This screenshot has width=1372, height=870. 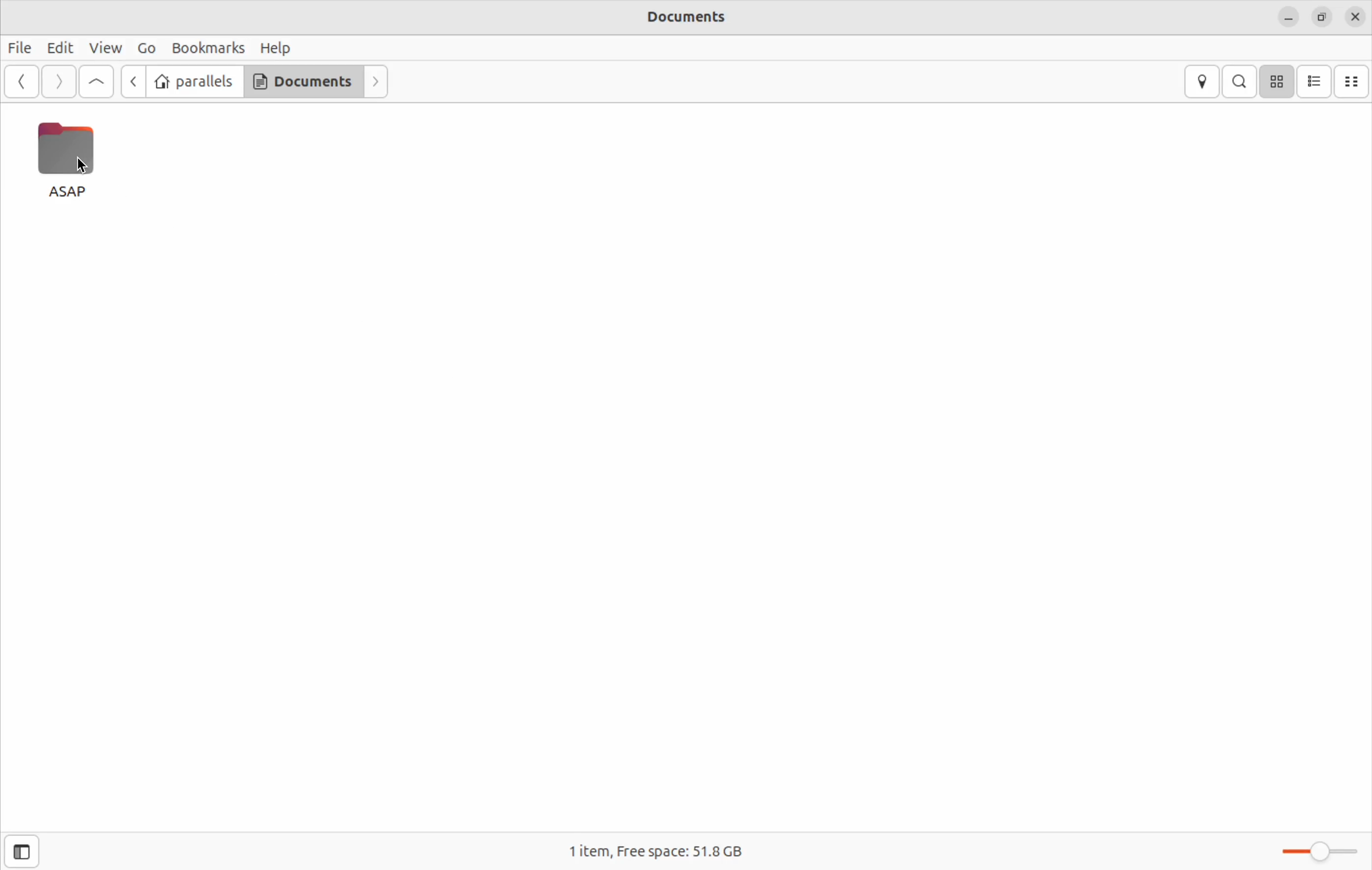 I want to click on Help, so click(x=281, y=47).